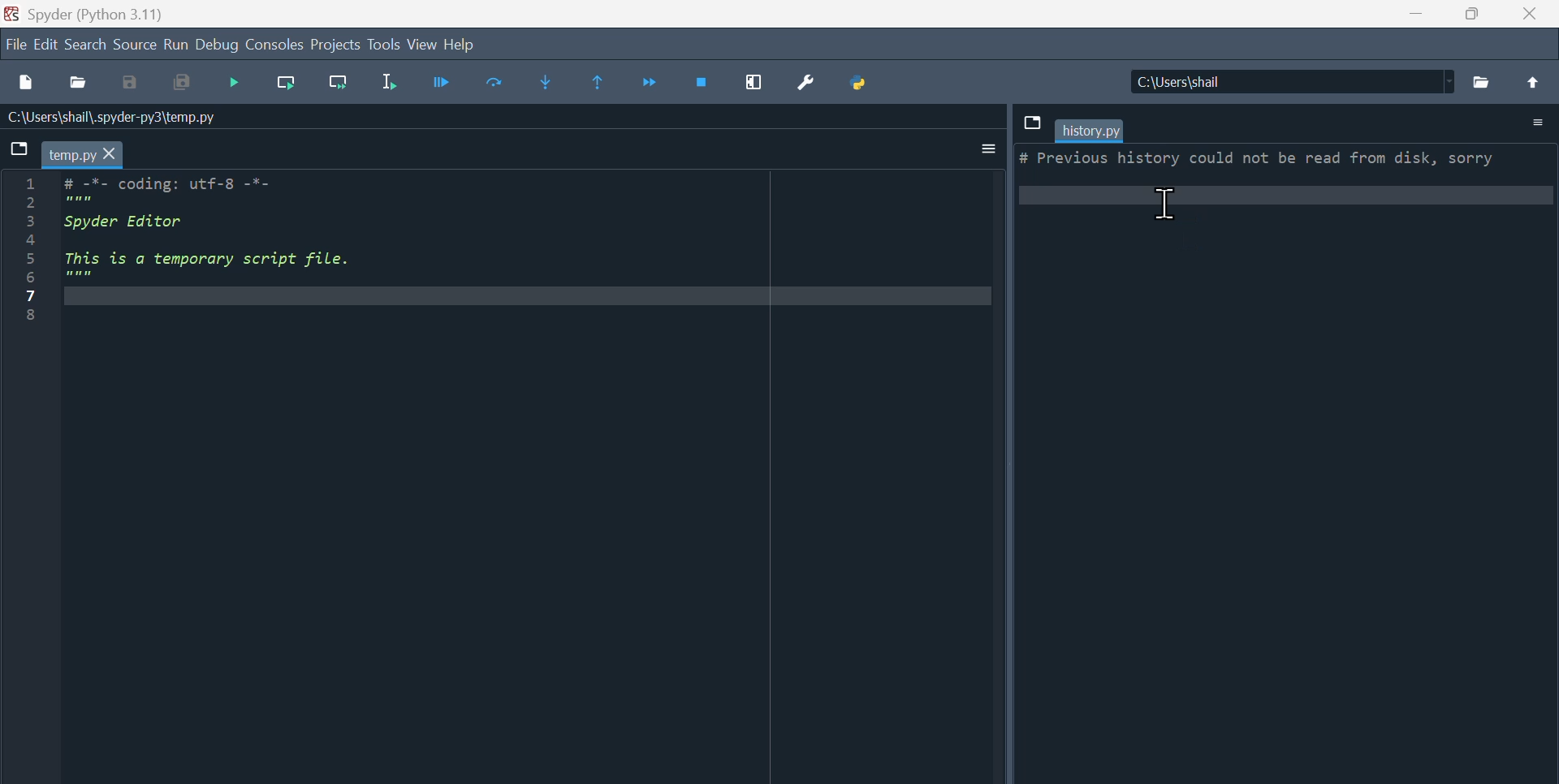  I want to click on Run, so click(175, 45).